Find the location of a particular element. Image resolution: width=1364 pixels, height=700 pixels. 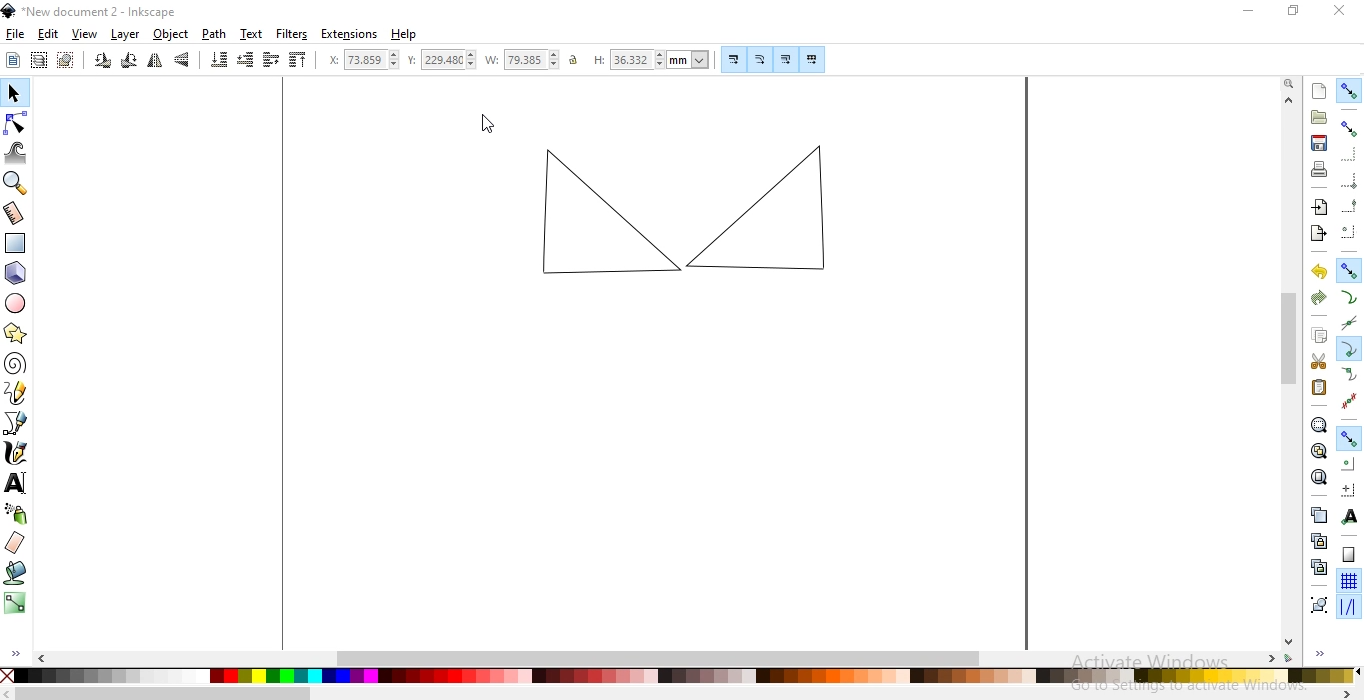

expand/hide sidebar is located at coordinates (14, 653).